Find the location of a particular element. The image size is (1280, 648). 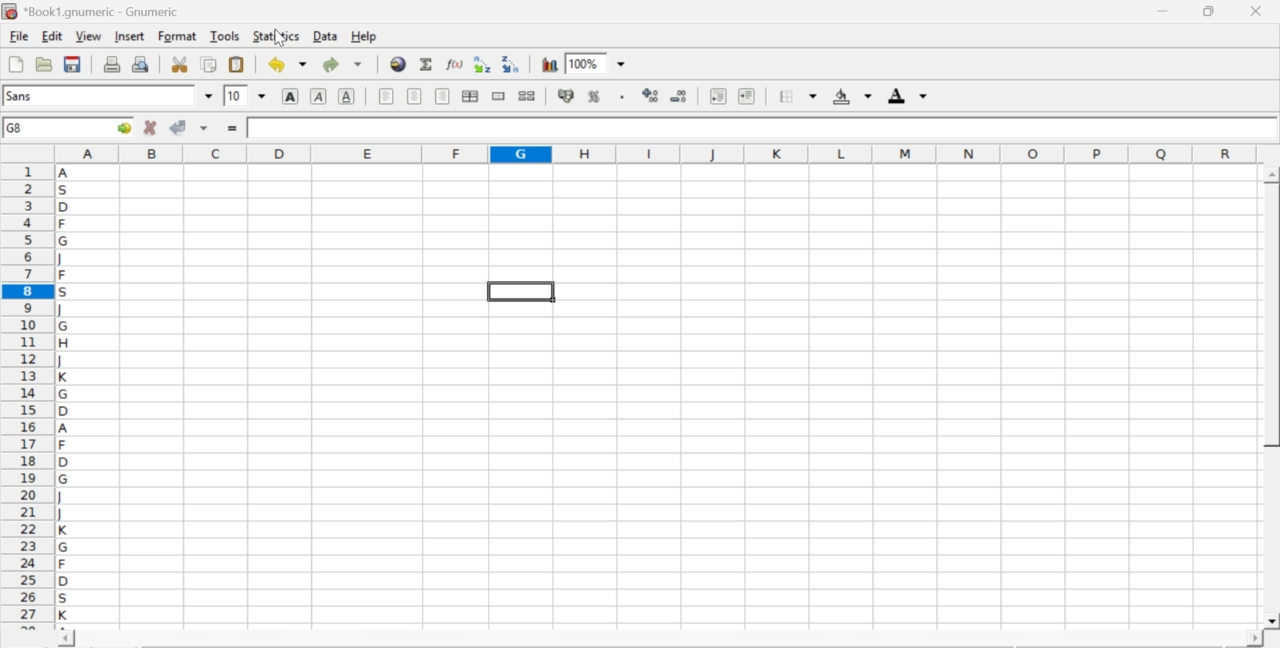

insert hyperlink is located at coordinates (399, 64).